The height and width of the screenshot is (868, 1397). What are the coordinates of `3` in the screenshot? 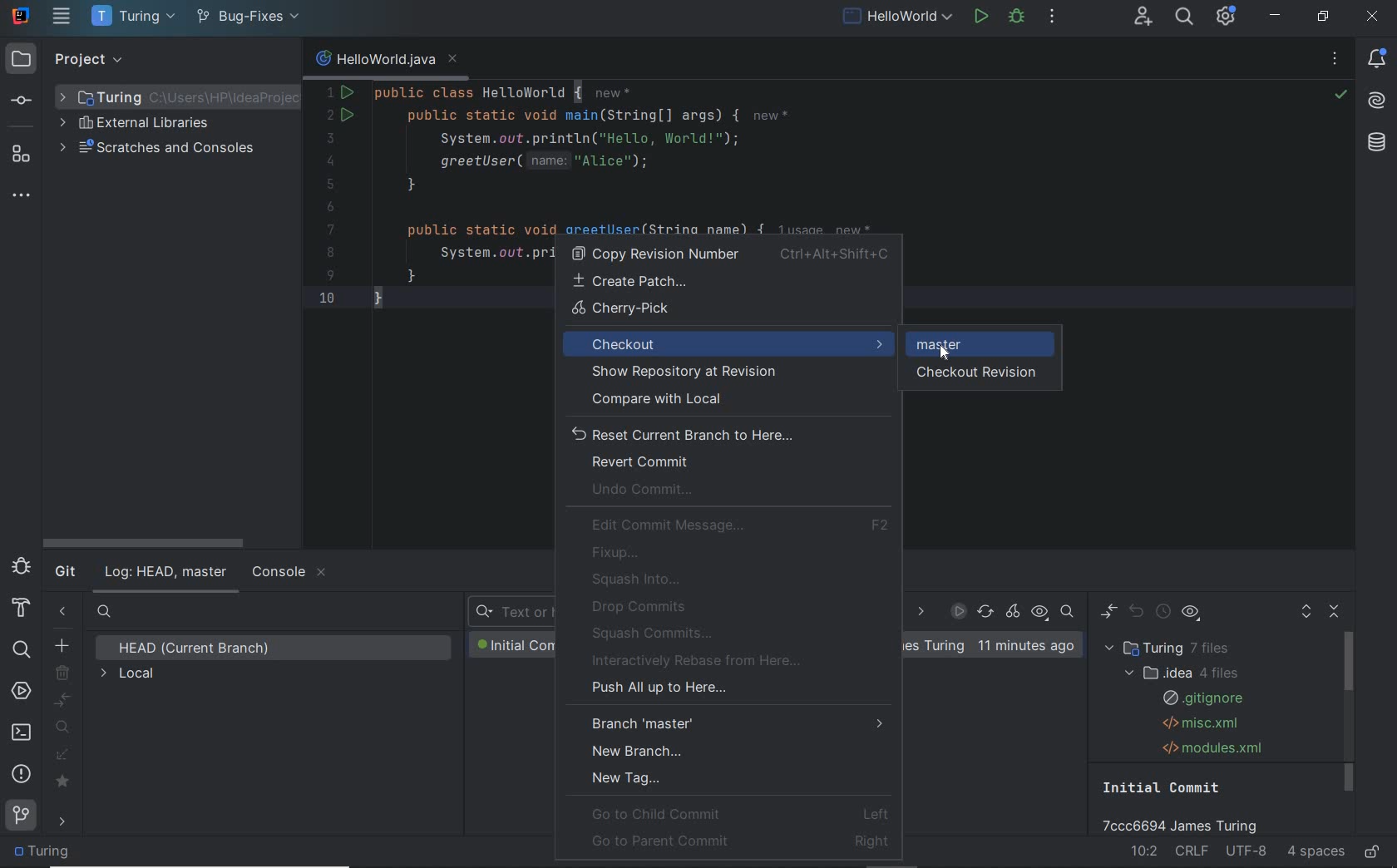 It's located at (328, 138).